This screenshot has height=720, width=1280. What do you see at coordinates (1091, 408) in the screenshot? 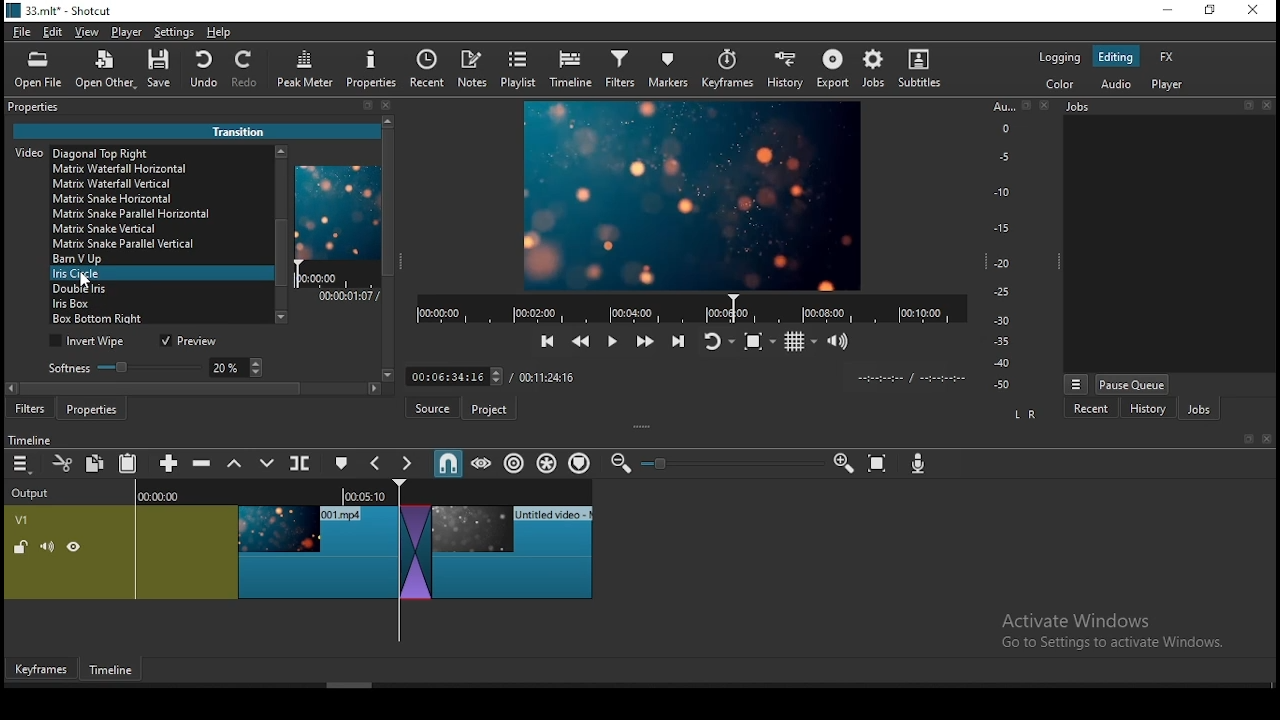
I see `recent` at bounding box center [1091, 408].